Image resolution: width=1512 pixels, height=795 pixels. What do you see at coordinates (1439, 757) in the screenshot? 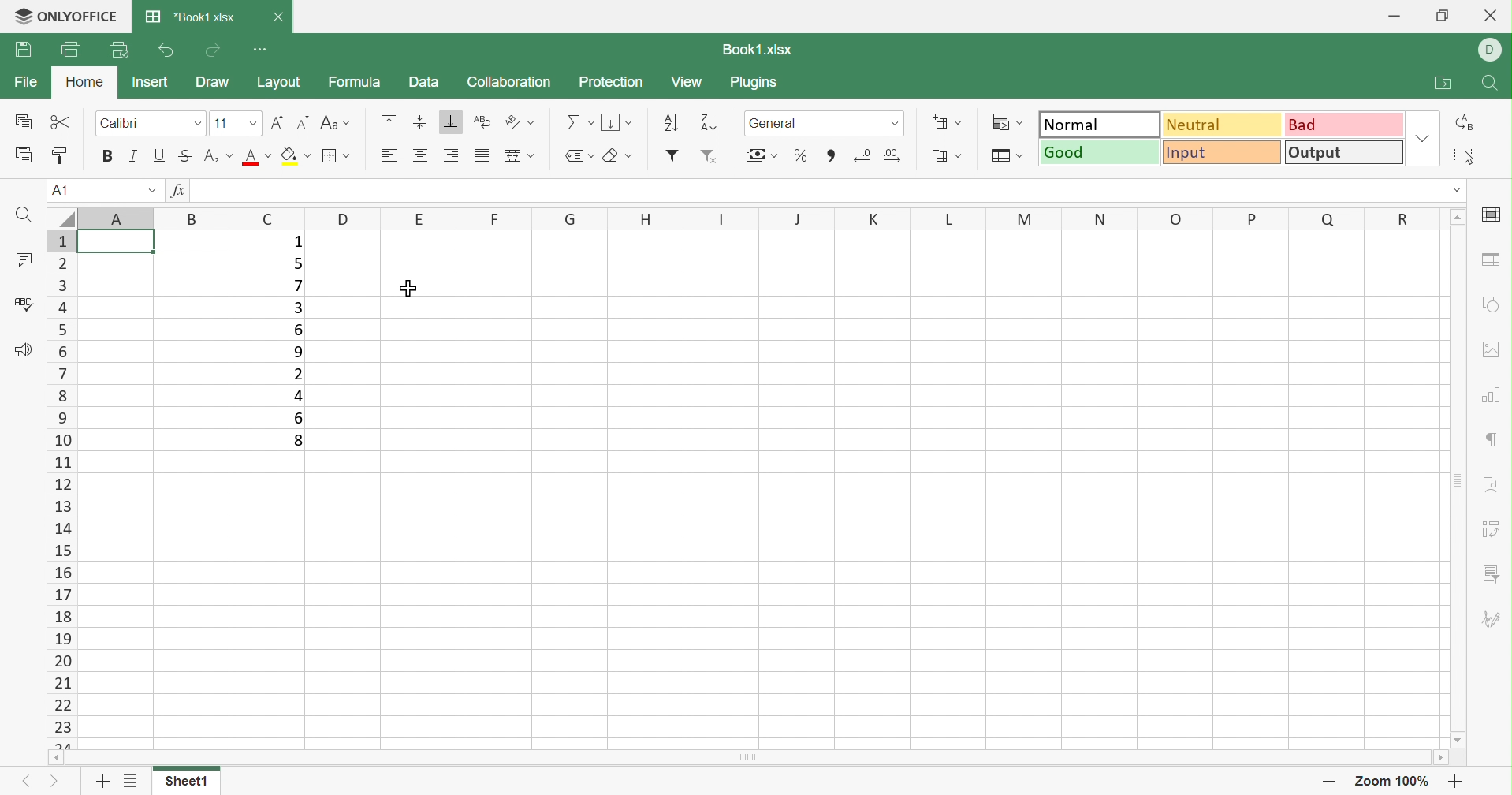
I see `Scroll Right` at bounding box center [1439, 757].